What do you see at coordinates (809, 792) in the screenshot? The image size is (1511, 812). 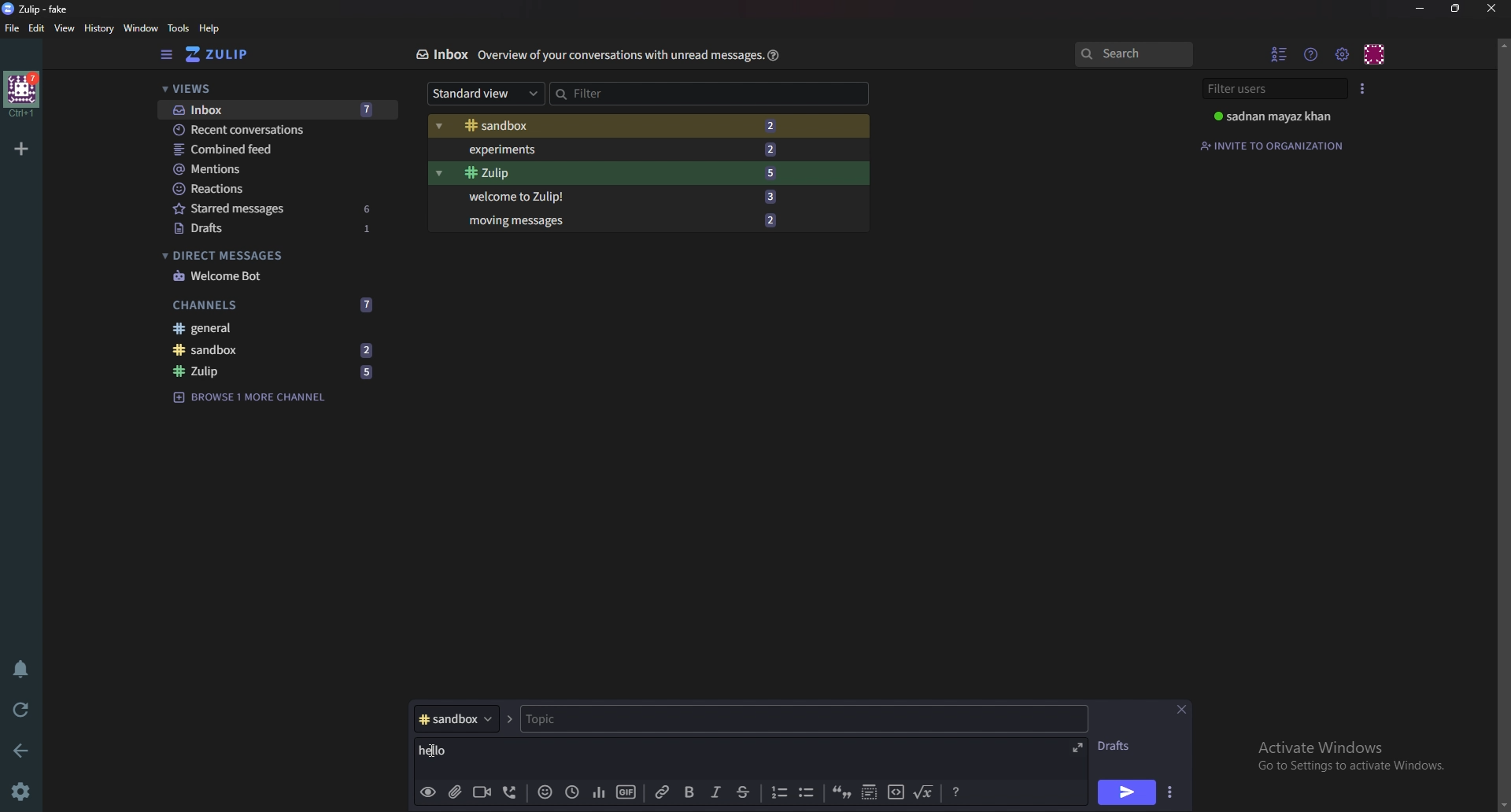 I see `bullet list` at bounding box center [809, 792].